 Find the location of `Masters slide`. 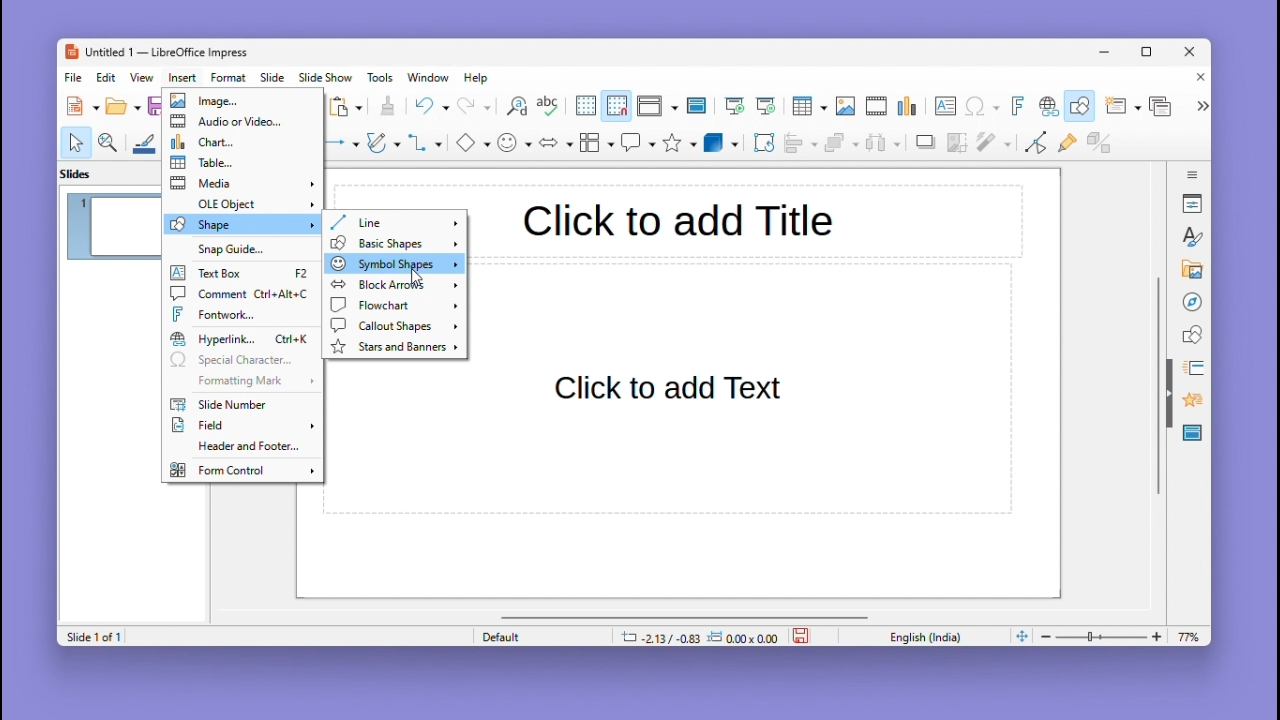

Masters slide is located at coordinates (1193, 434).